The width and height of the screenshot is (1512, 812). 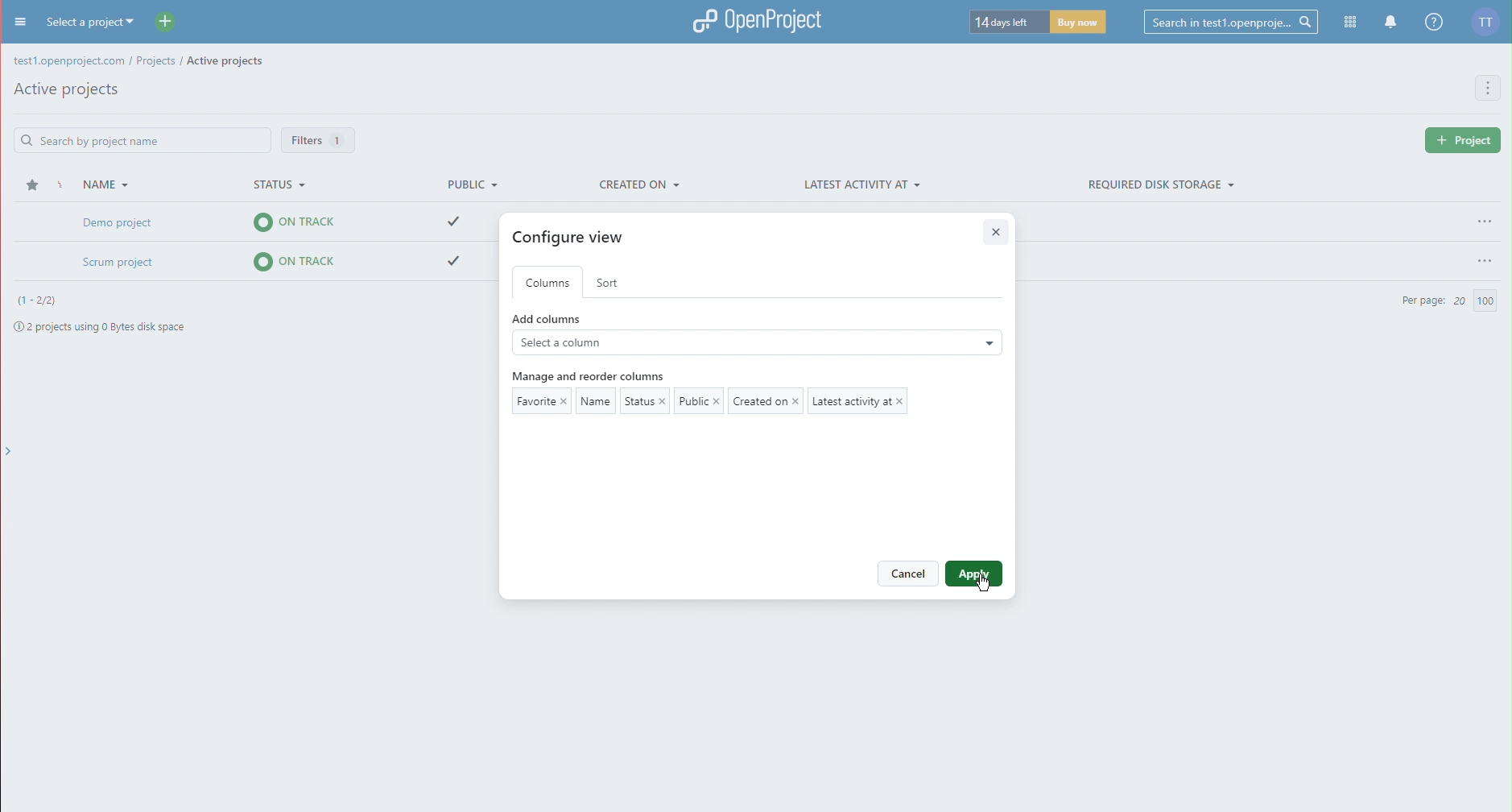 I want to click on new project button, so click(x=1459, y=141).